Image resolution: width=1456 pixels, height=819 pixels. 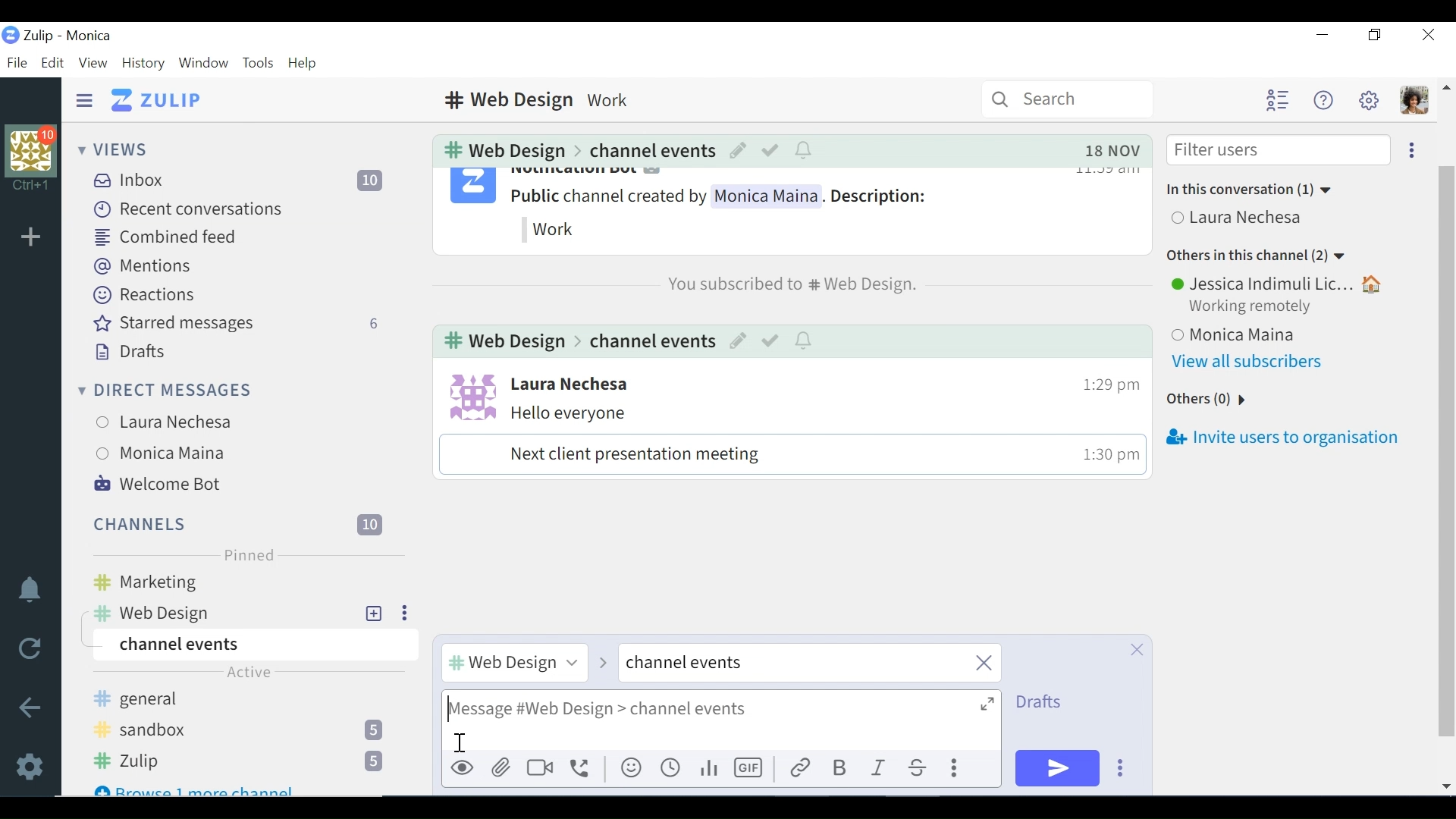 What do you see at coordinates (1043, 702) in the screenshot?
I see `Drafts` at bounding box center [1043, 702].